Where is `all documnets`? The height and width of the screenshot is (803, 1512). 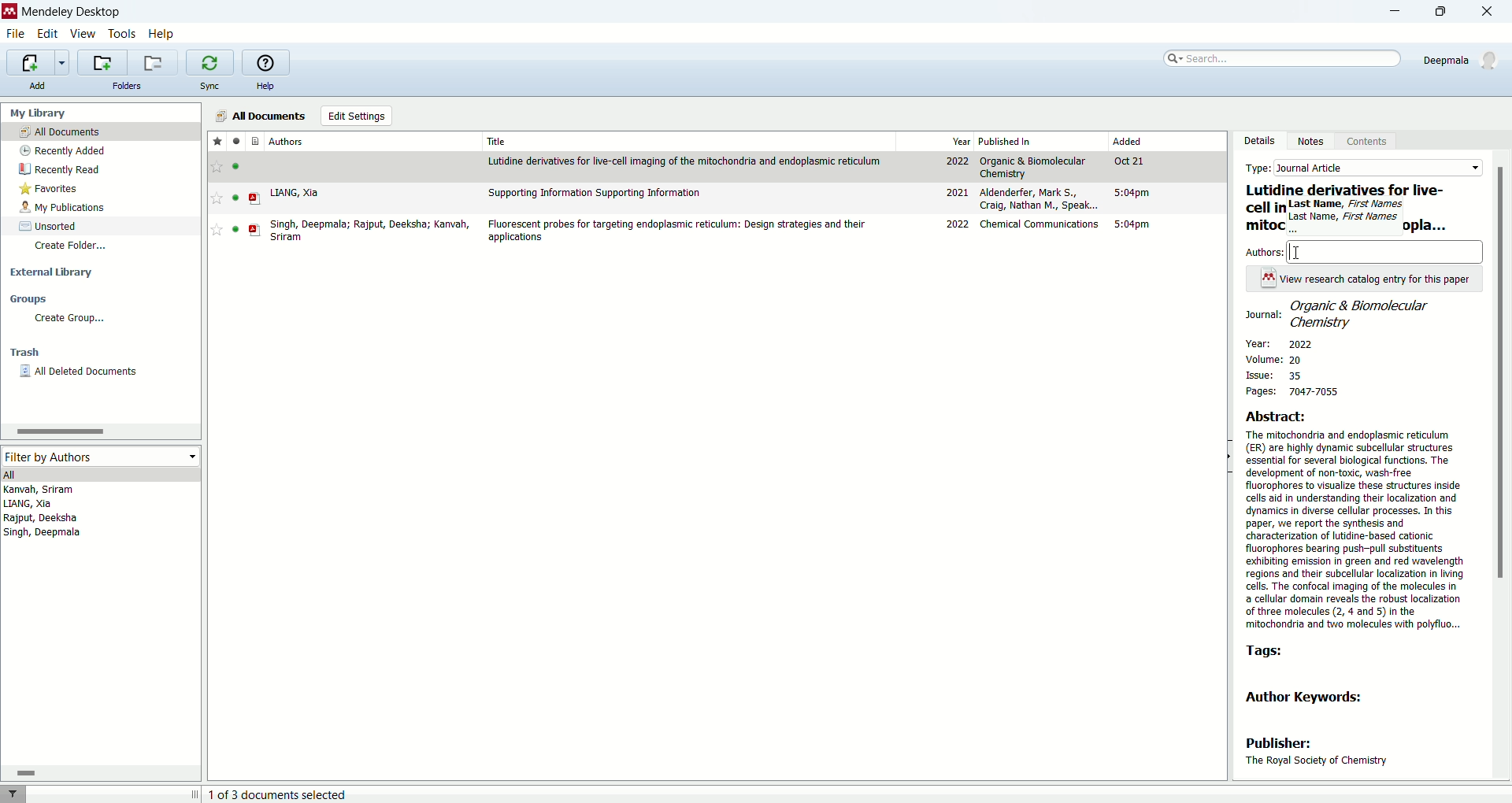 all documnets is located at coordinates (259, 116).